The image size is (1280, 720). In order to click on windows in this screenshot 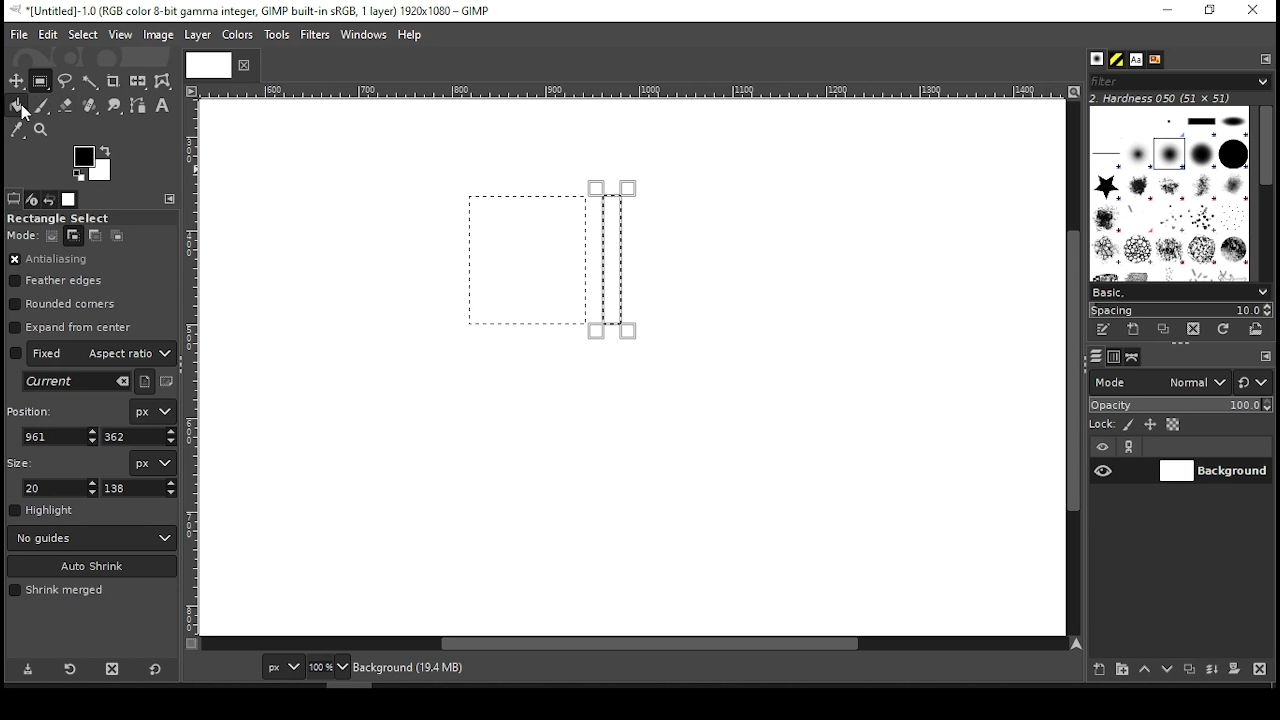, I will do `click(365, 36)`.